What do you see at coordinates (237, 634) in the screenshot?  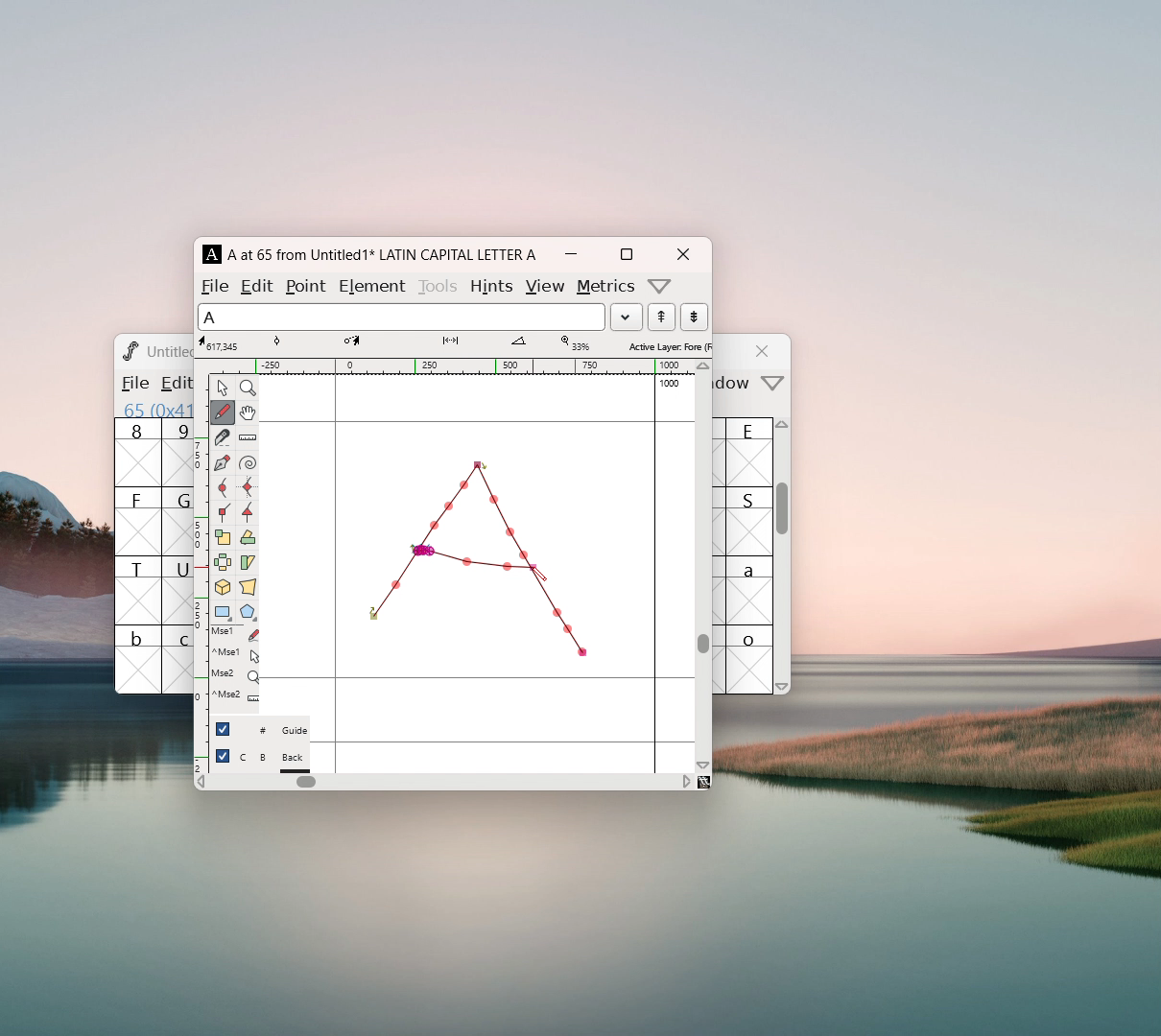 I see `Mse1` at bounding box center [237, 634].